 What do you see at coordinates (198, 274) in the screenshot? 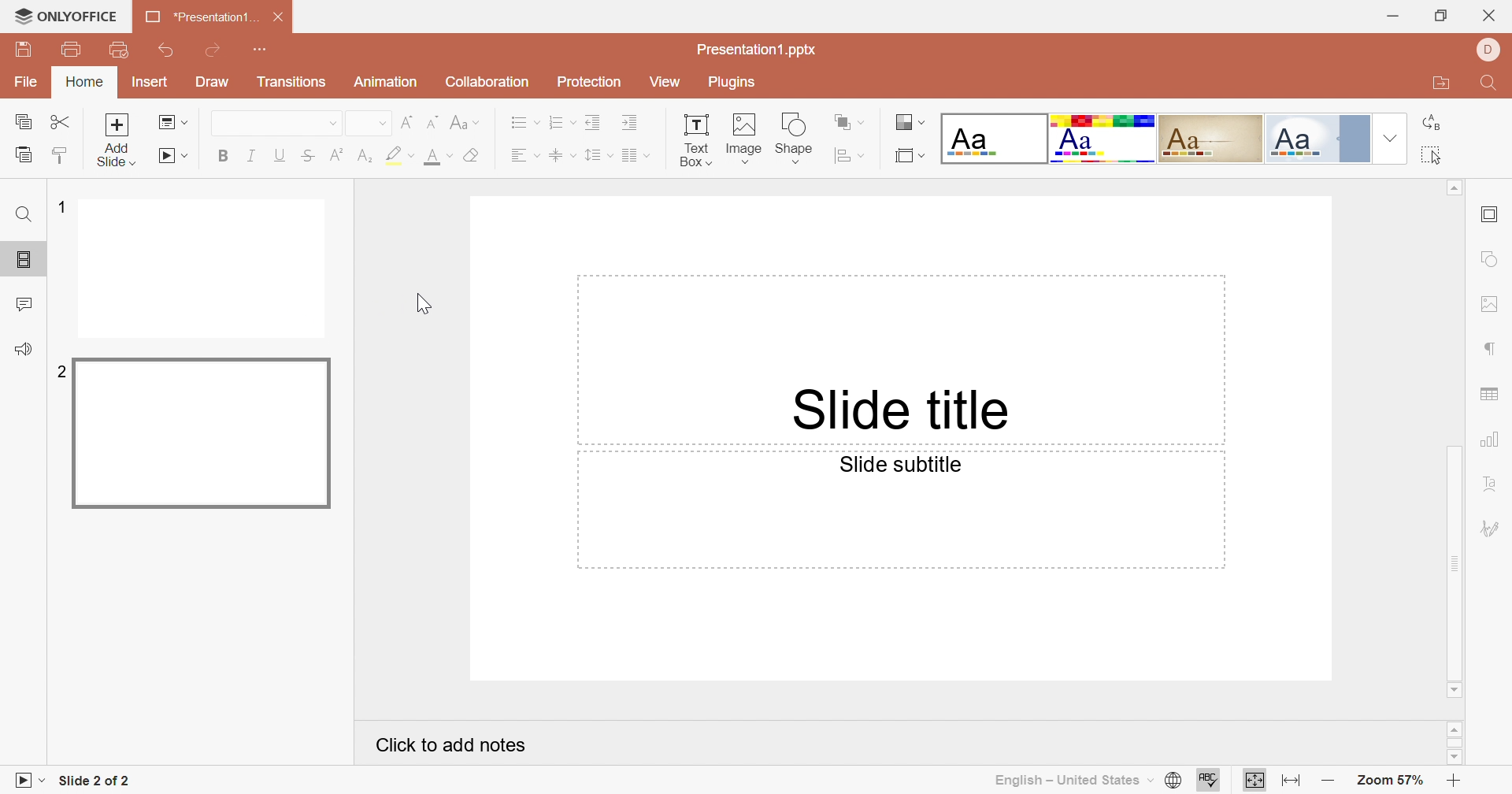
I see `Slide 1` at bounding box center [198, 274].